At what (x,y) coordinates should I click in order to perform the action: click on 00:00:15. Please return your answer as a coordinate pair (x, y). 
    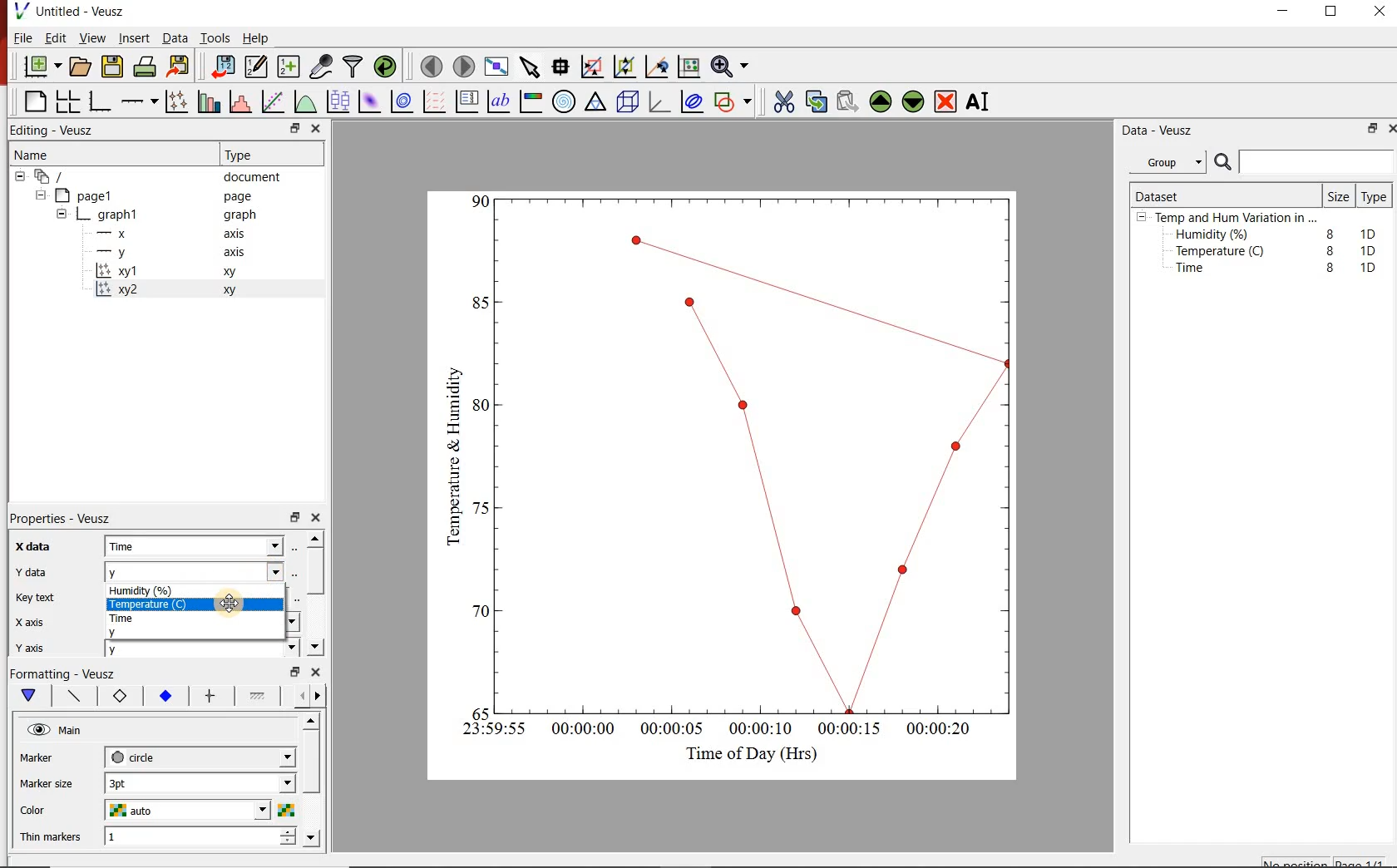
    Looking at the image, I should click on (850, 727).